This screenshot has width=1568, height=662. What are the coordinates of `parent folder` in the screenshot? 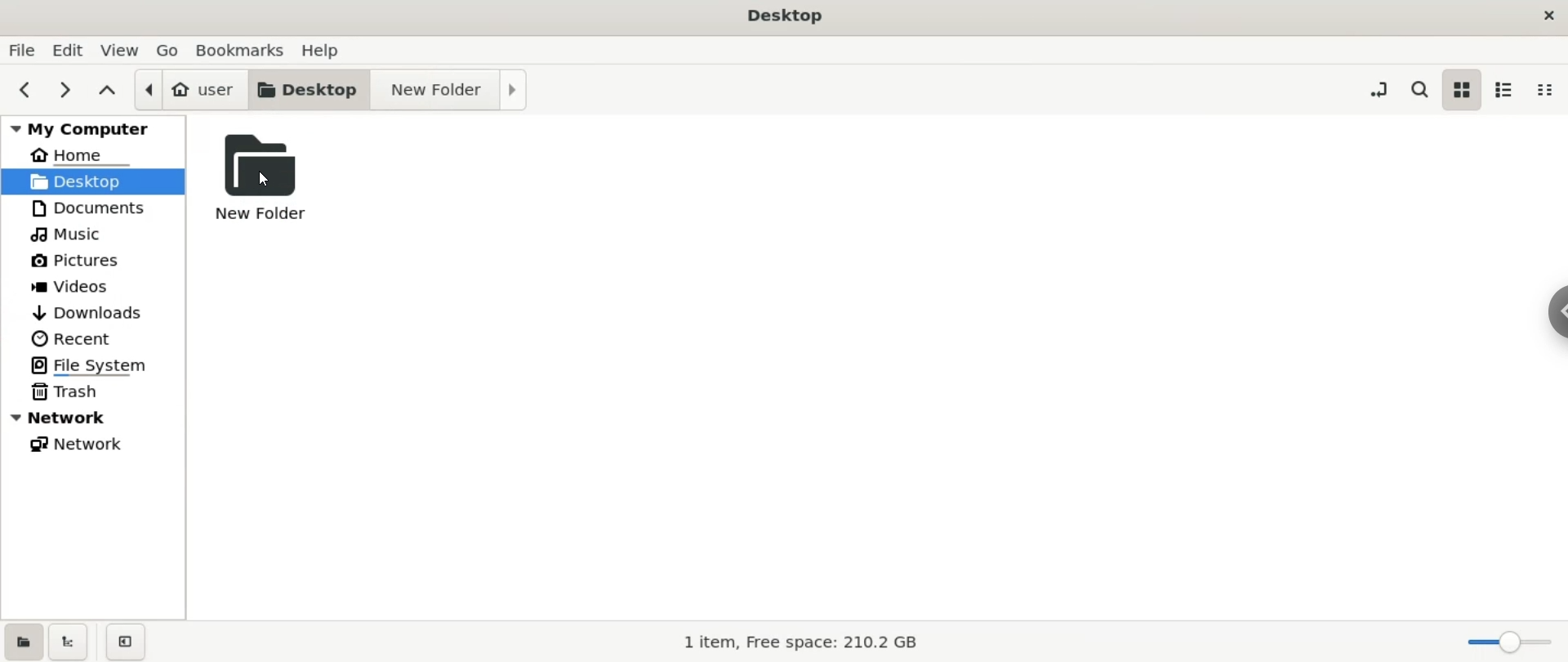 It's located at (110, 91).